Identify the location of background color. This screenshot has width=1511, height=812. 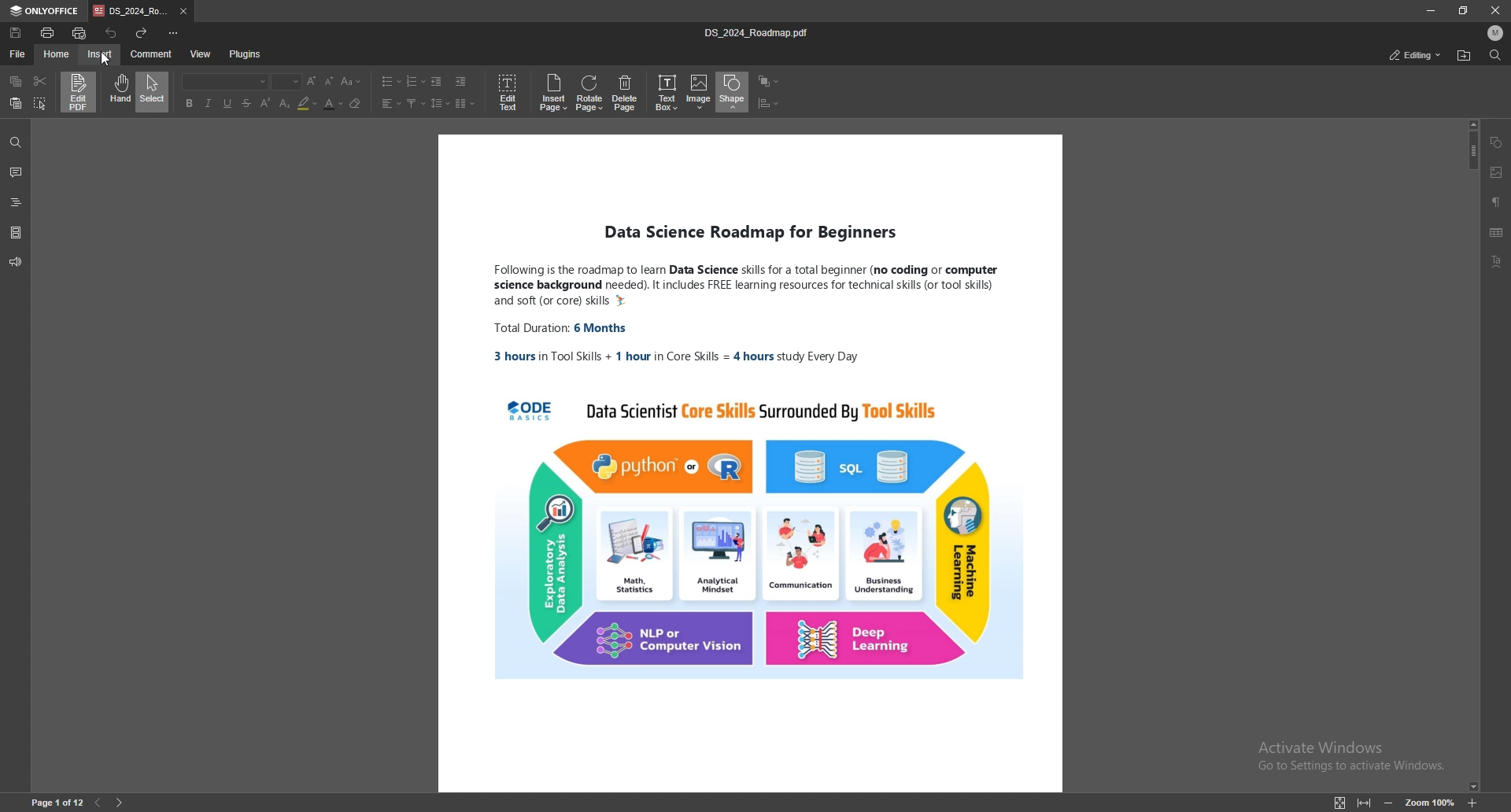
(308, 103).